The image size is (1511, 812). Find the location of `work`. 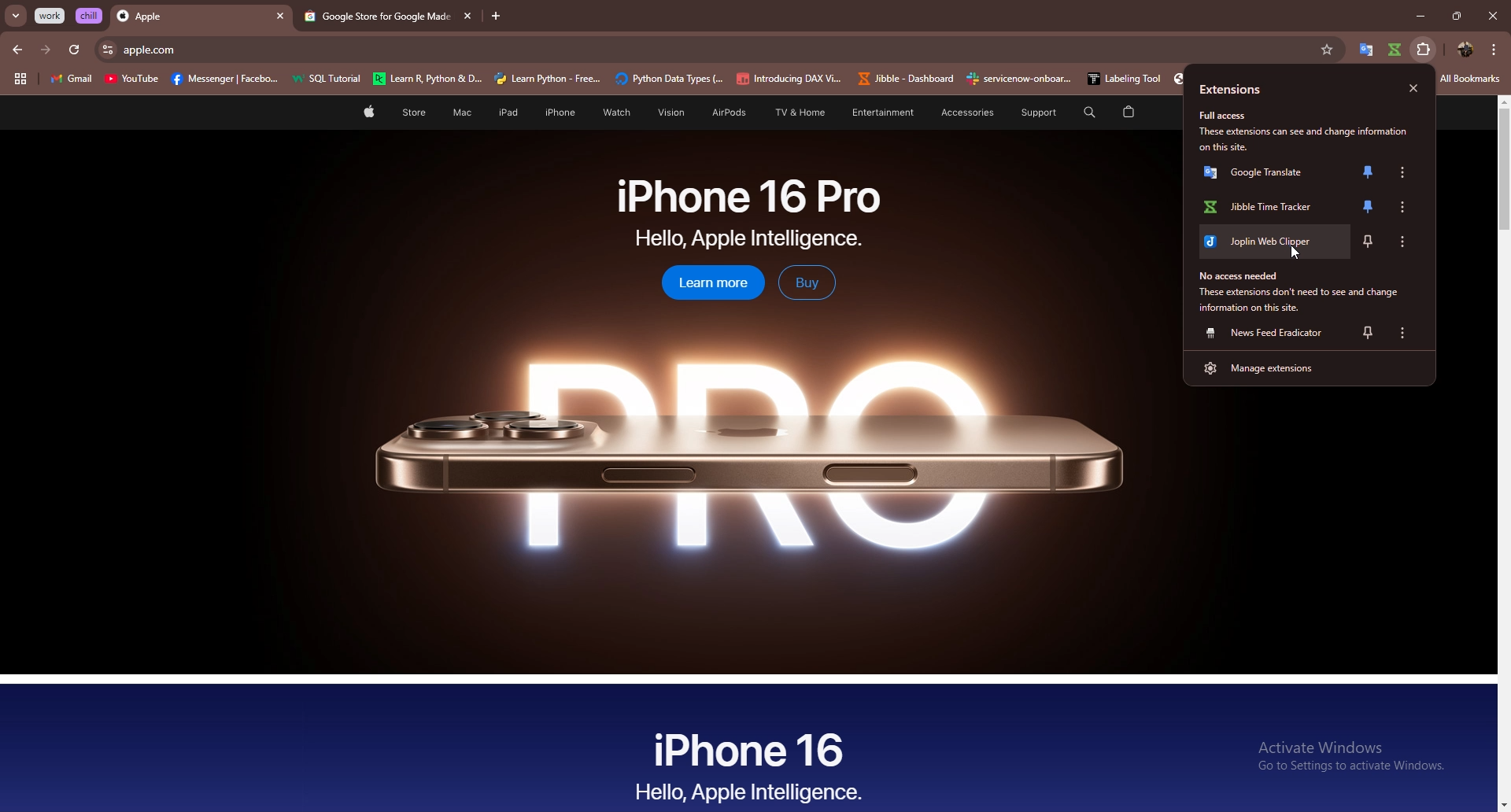

work is located at coordinates (51, 16).